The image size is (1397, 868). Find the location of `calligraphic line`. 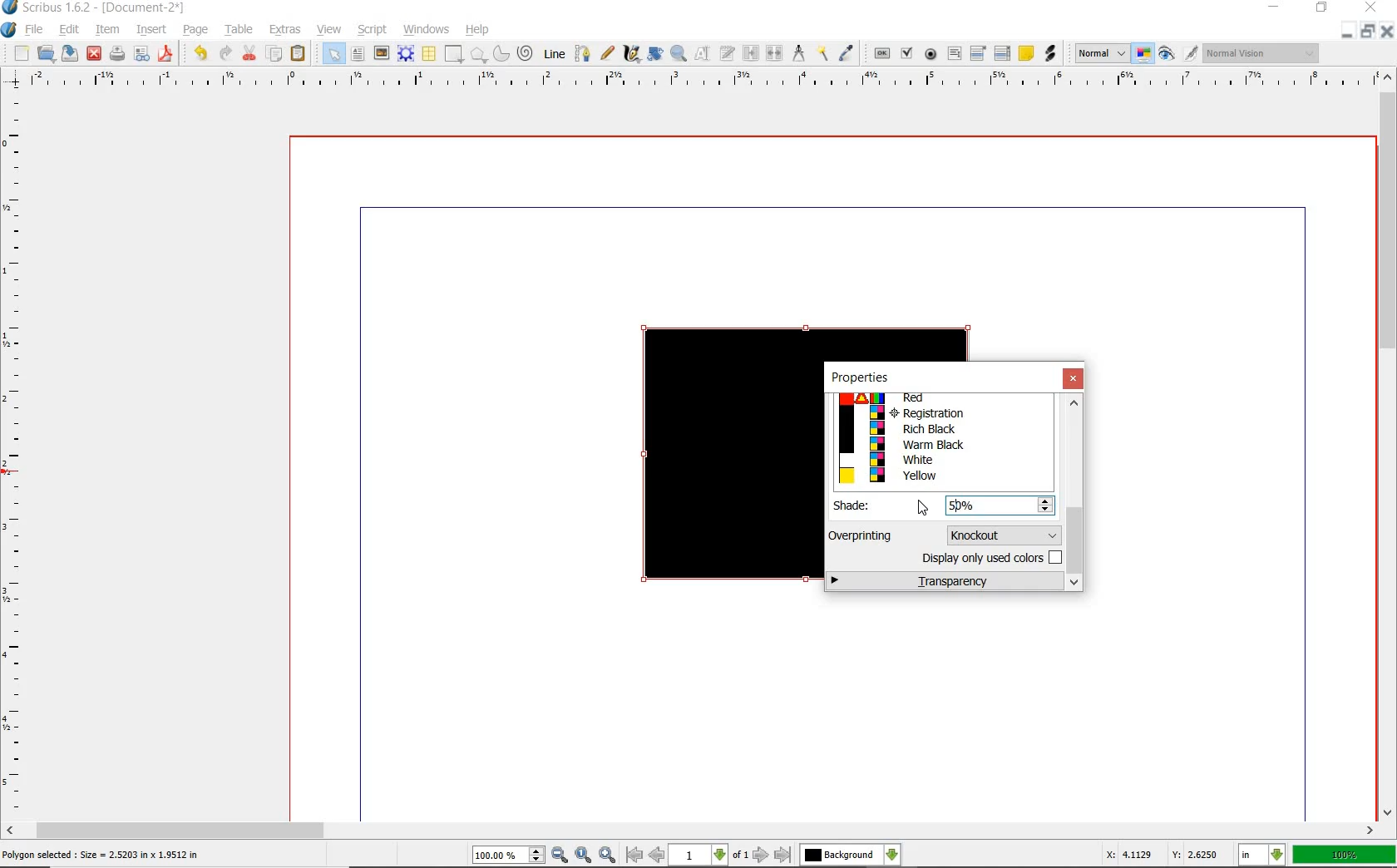

calligraphic line is located at coordinates (631, 54).